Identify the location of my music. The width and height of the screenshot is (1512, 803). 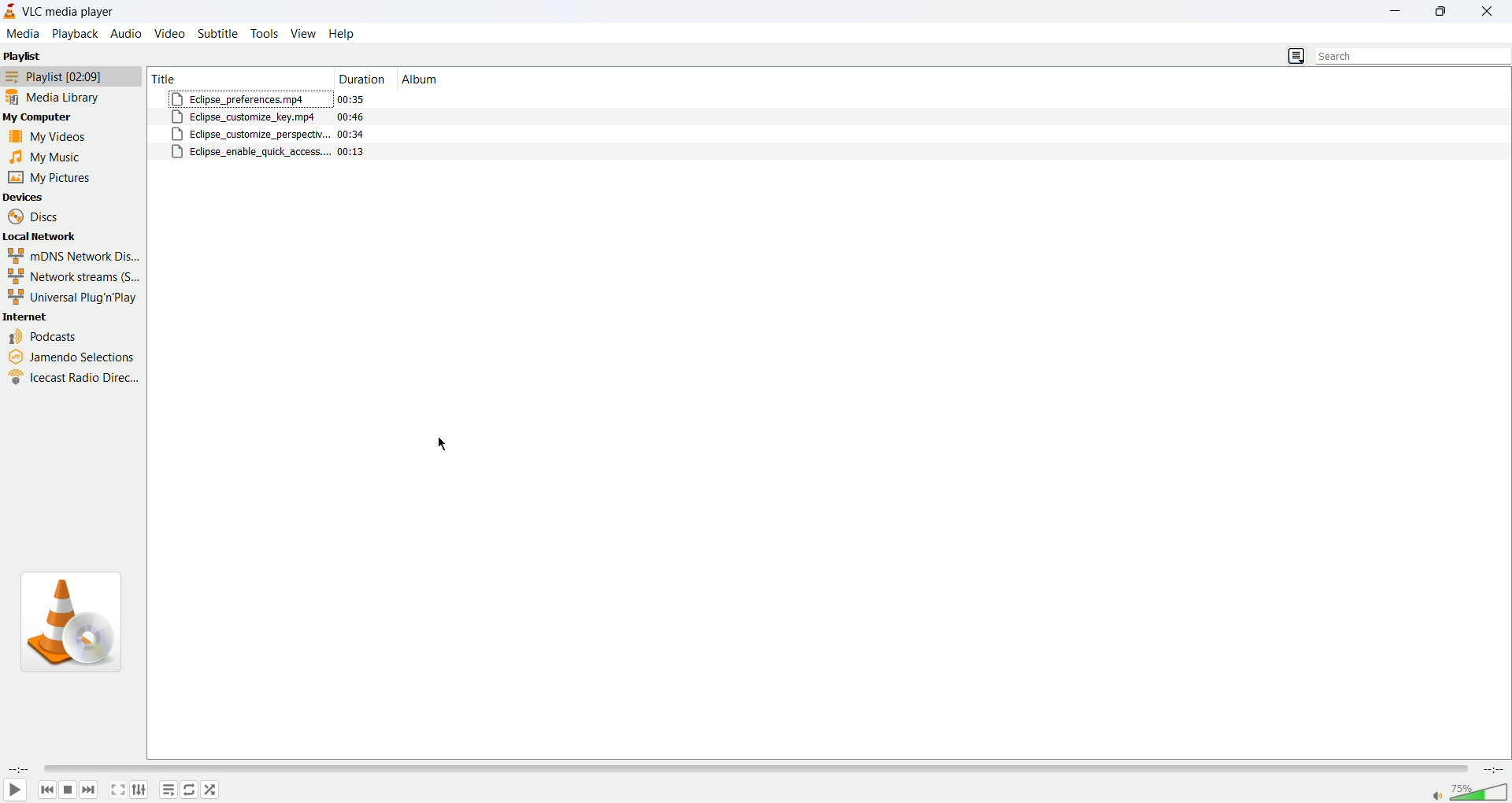
(57, 157).